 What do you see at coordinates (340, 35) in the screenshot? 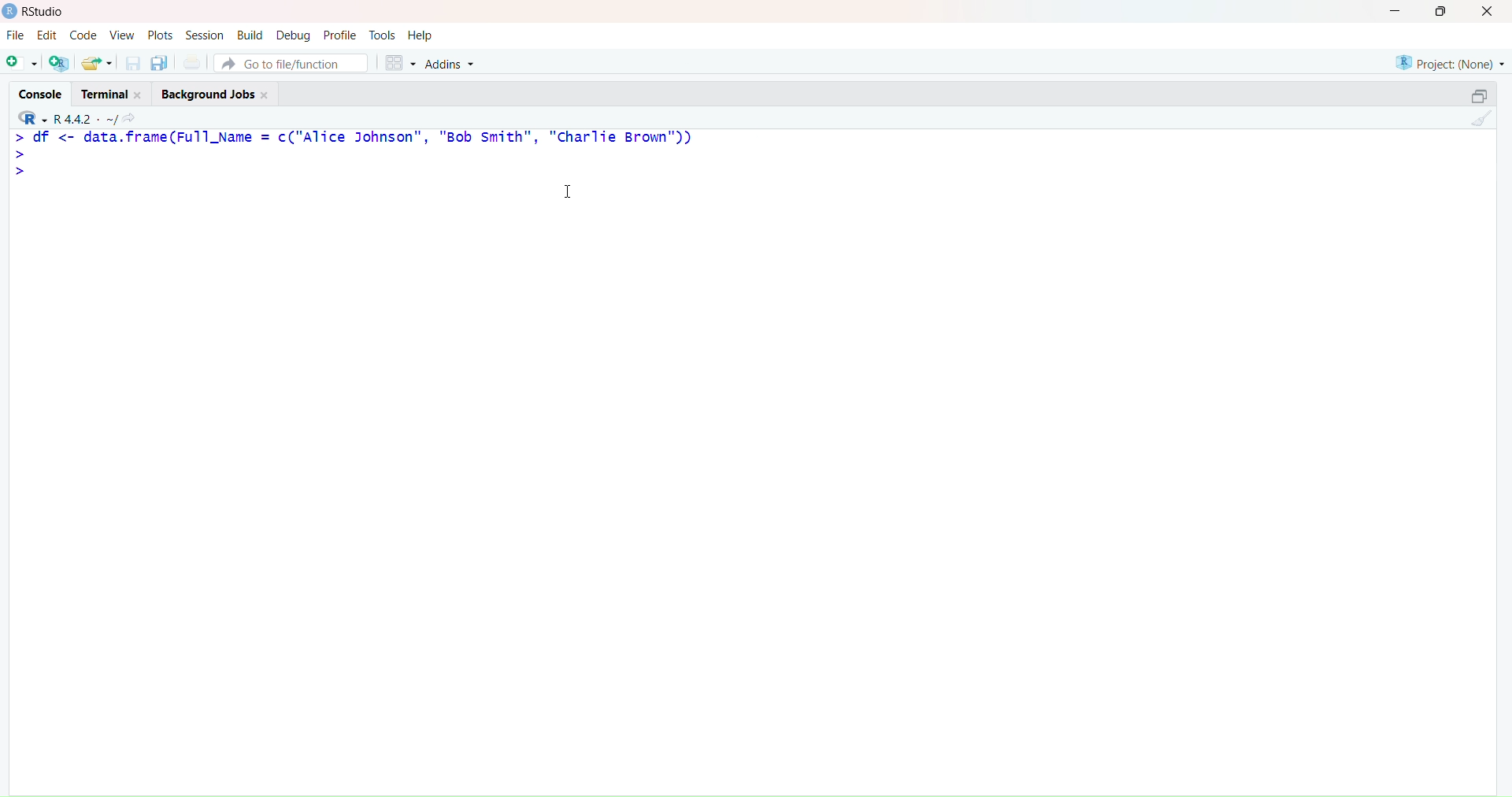
I see `Profile` at bounding box center [340, 35].